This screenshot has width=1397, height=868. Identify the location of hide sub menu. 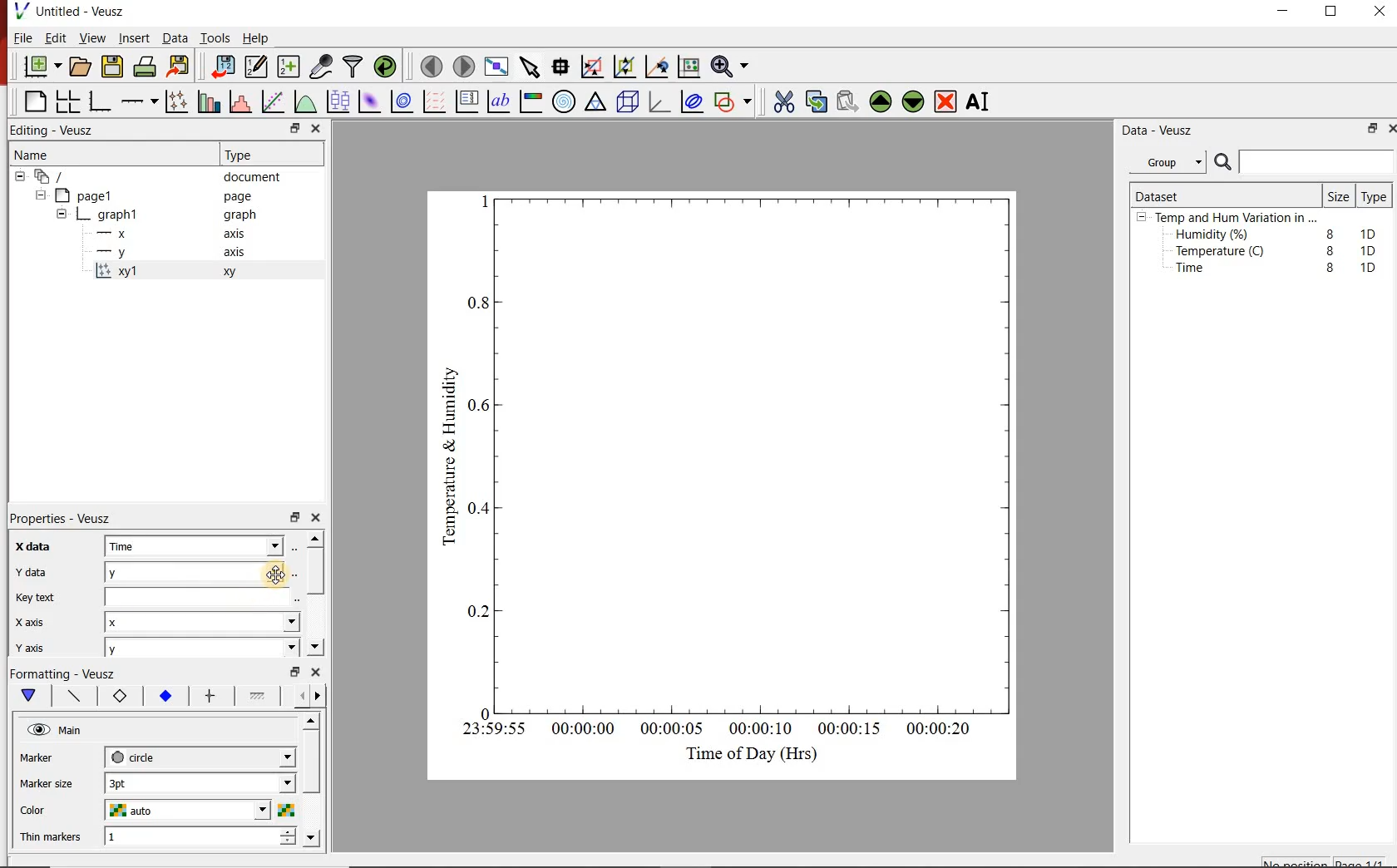
(62, 213).